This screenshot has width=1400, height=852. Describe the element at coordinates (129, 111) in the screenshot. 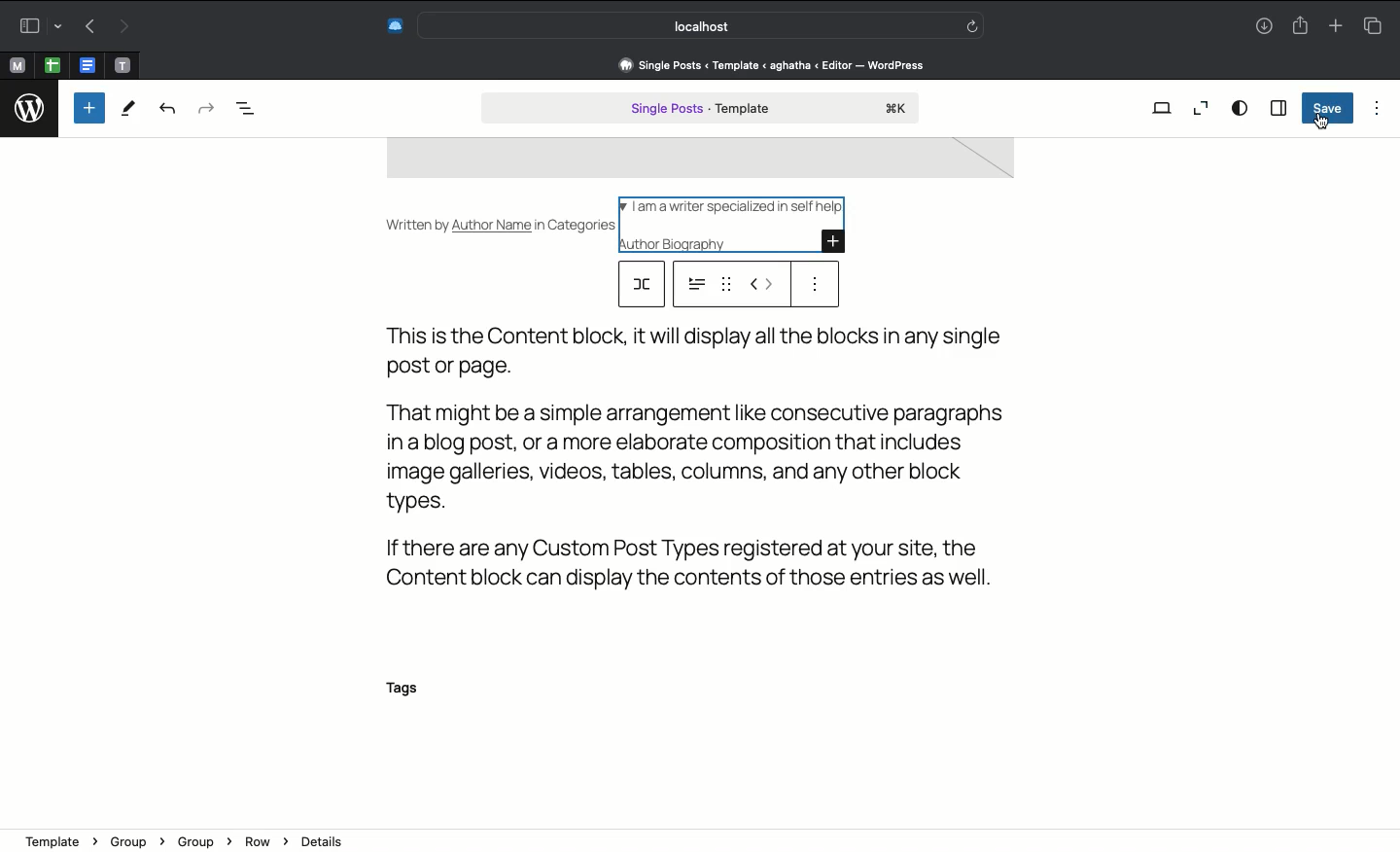

I see `Tools` at that location.